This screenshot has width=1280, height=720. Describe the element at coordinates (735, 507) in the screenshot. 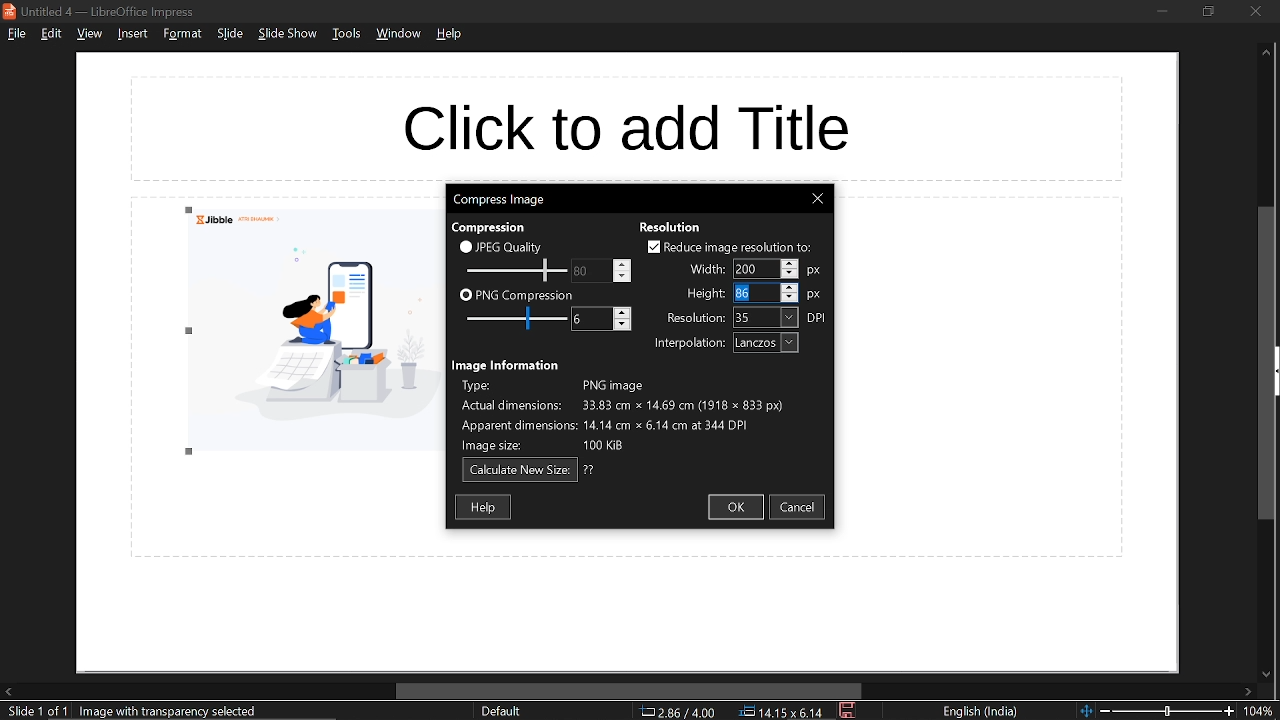

I see `ok` at that location.